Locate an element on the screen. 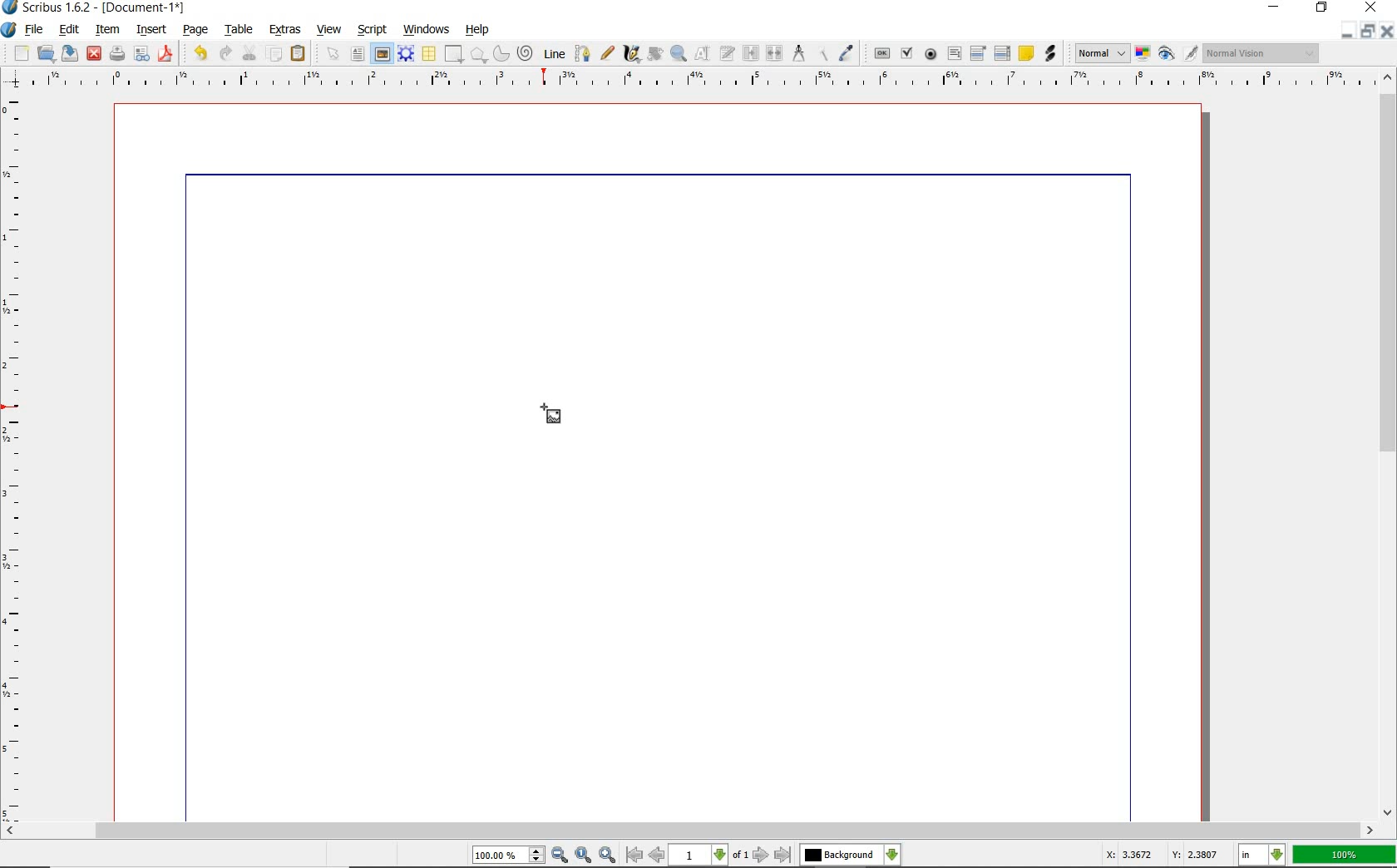  freehand line is located at coordinates (606, 52).